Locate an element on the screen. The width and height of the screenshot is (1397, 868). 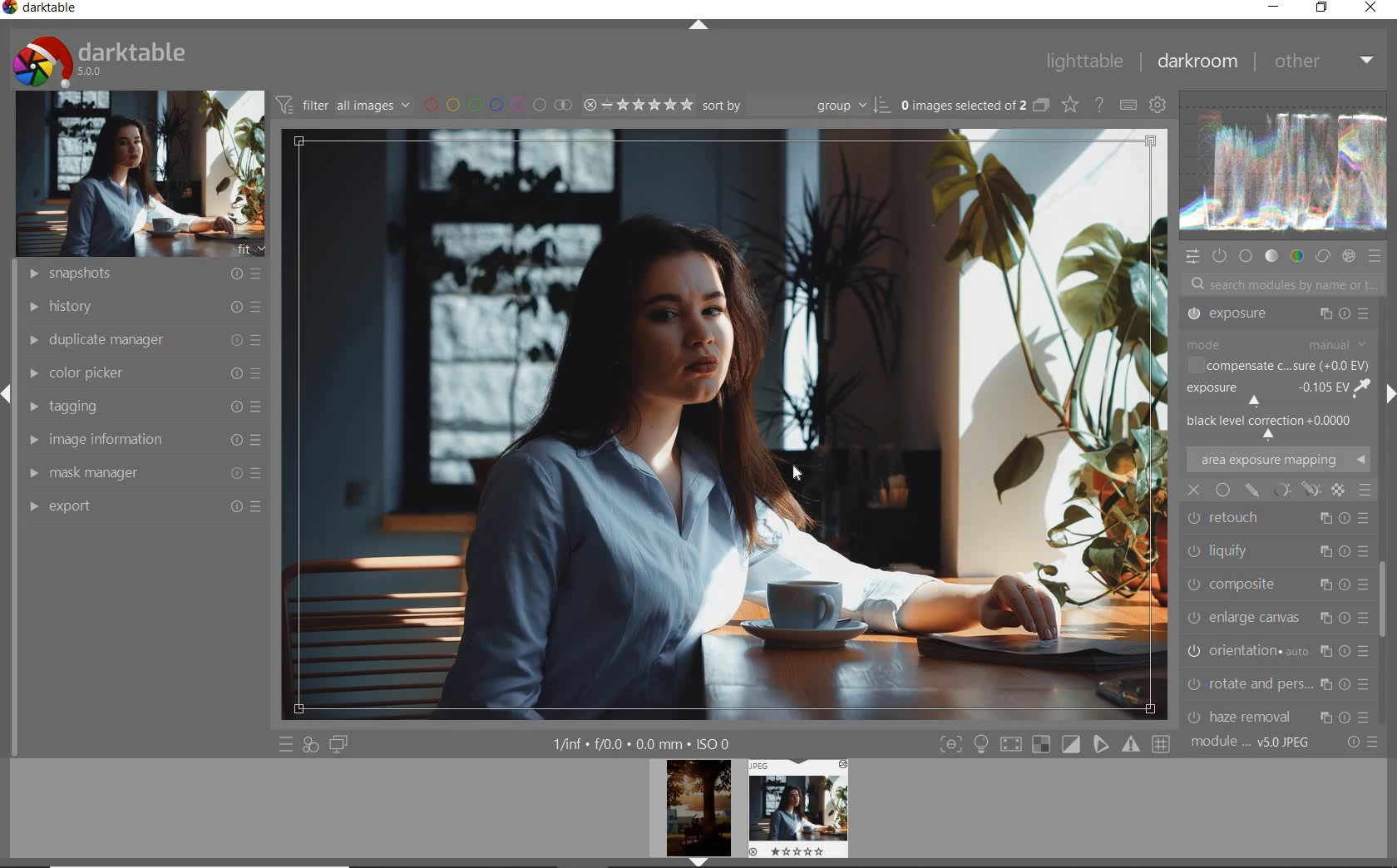
SELECTED  IMAGE RANGE RATING is located at coordinates (637, 105).